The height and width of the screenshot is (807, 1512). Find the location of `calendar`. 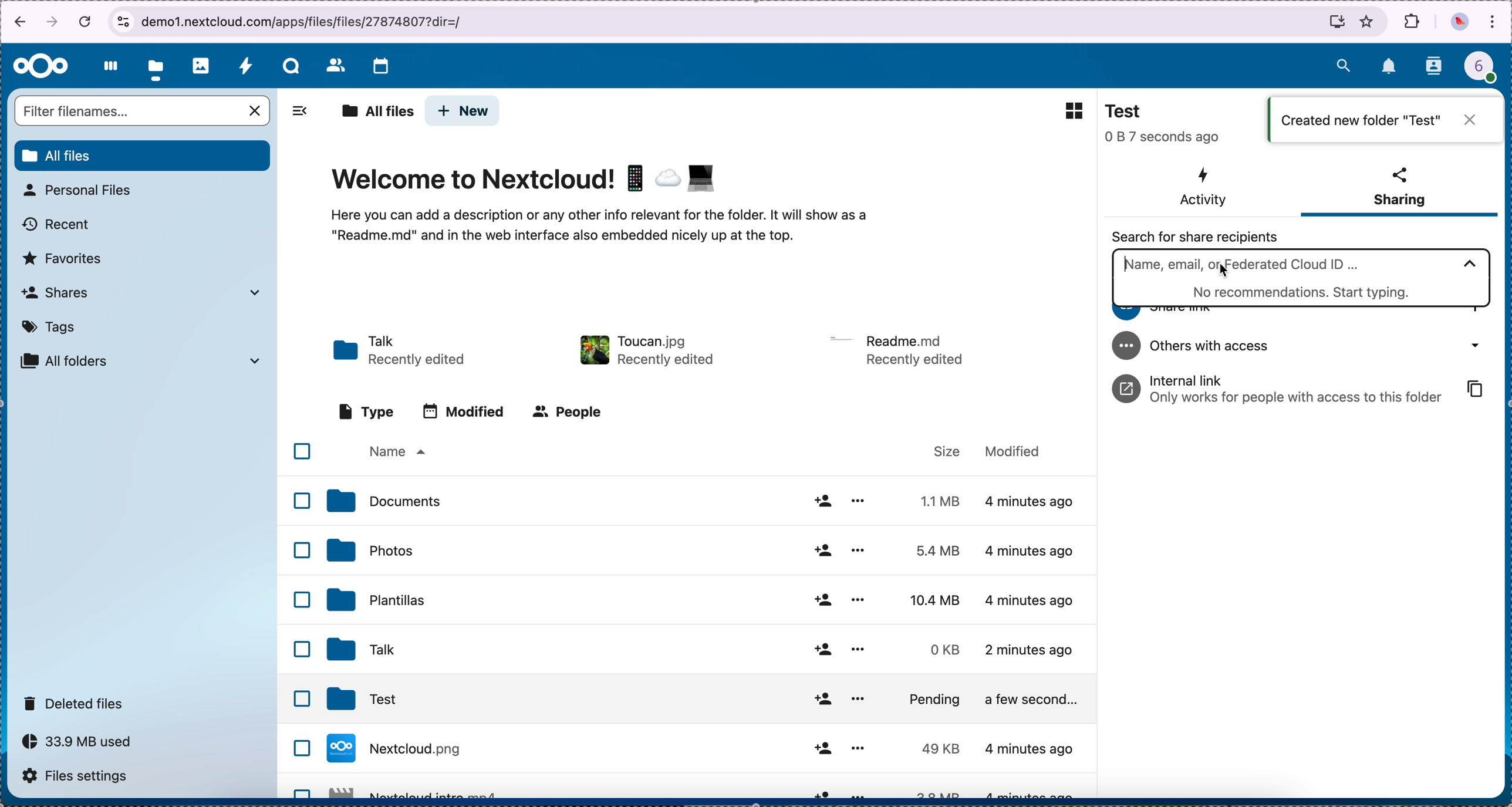

calendar is located at coordinates (380, 67).